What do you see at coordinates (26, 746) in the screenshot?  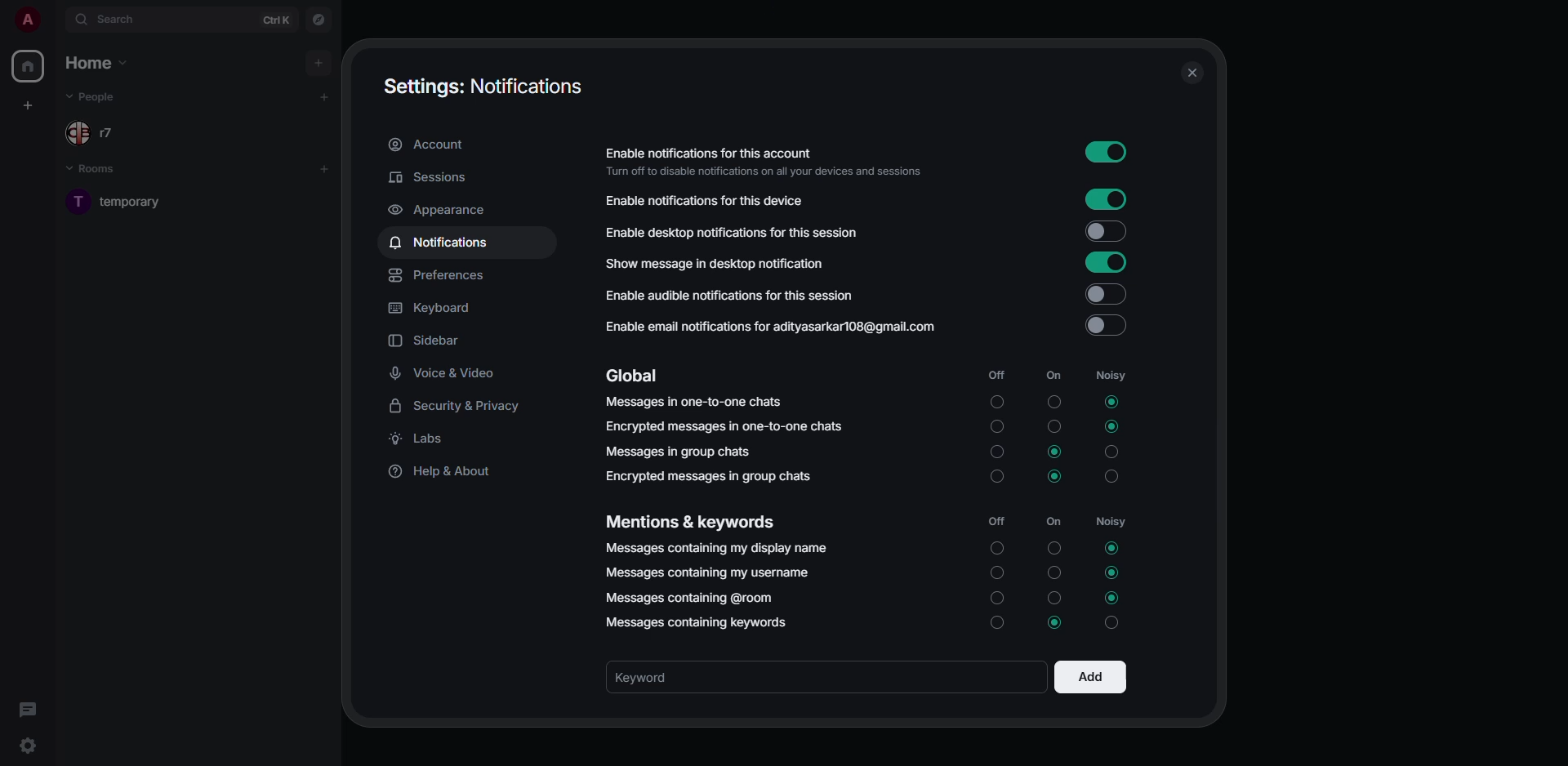 I see `quick settings` at bounding box center [26, 746].